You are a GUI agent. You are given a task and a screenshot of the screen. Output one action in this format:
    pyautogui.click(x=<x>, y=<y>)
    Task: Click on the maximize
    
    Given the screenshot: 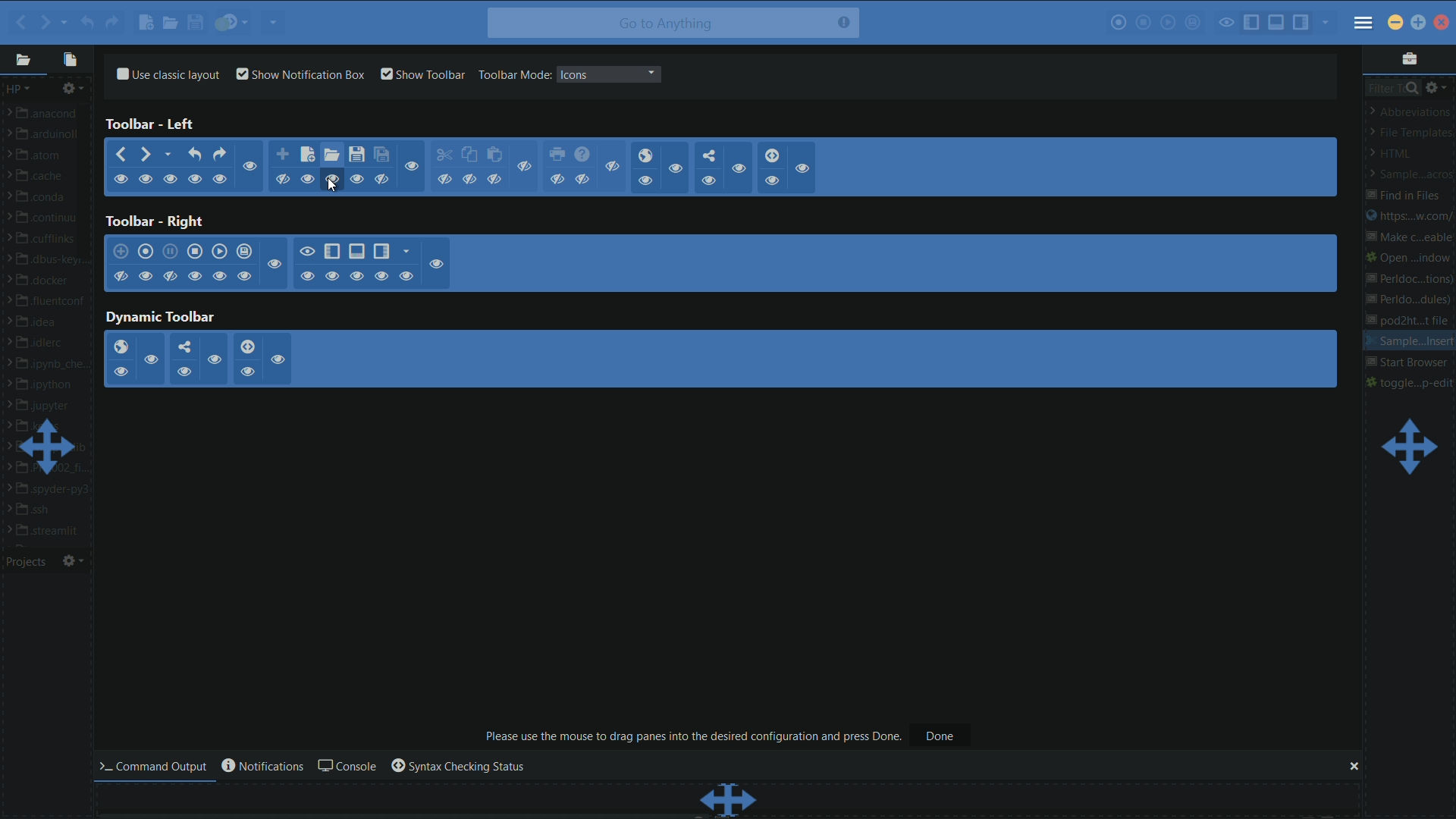 What is the action you would take?
    pyautogui.click(x=1420, y=21)
    